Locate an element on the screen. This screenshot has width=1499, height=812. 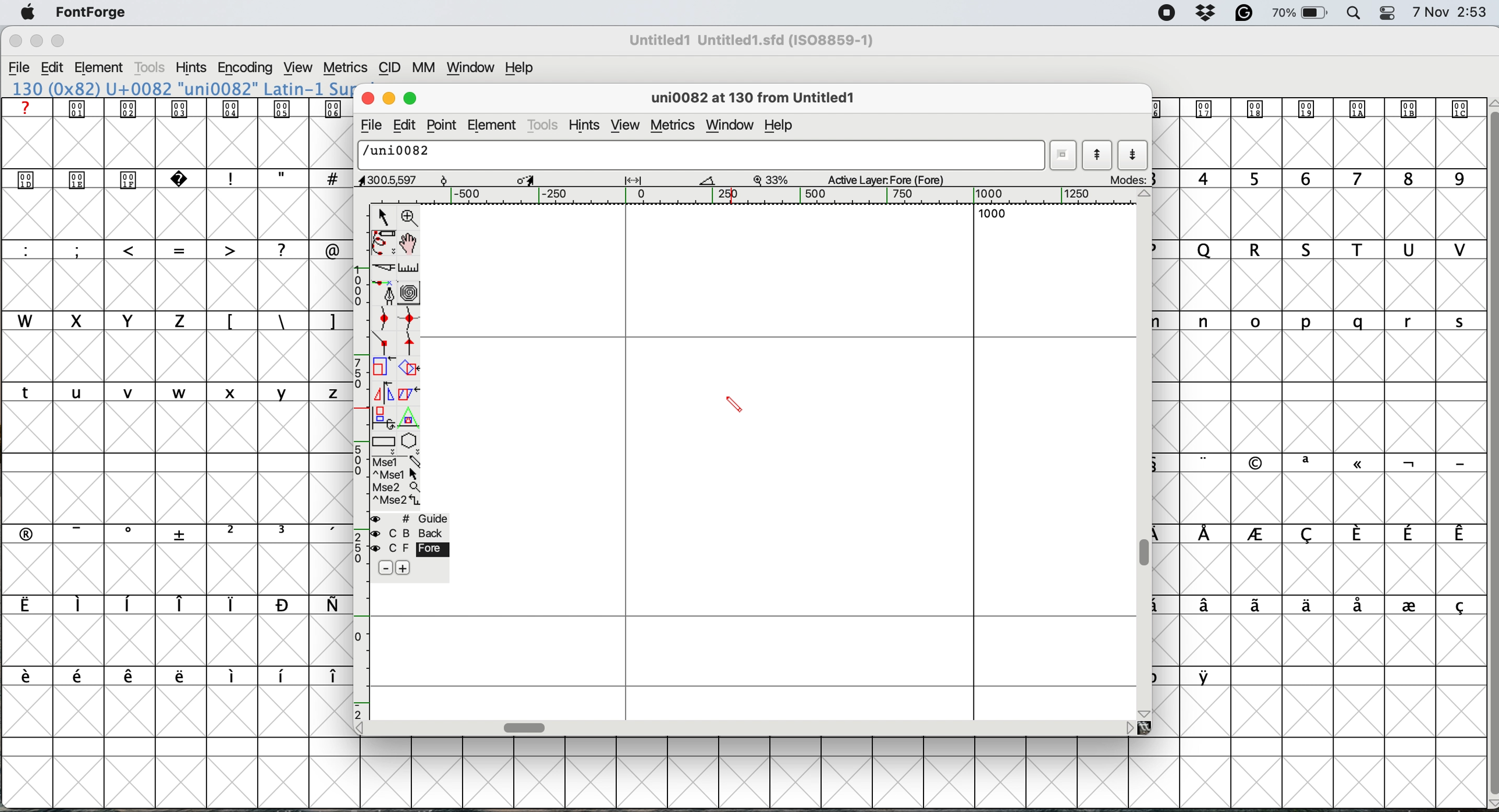
lowercase letters is located at coordinates (1311, 320).